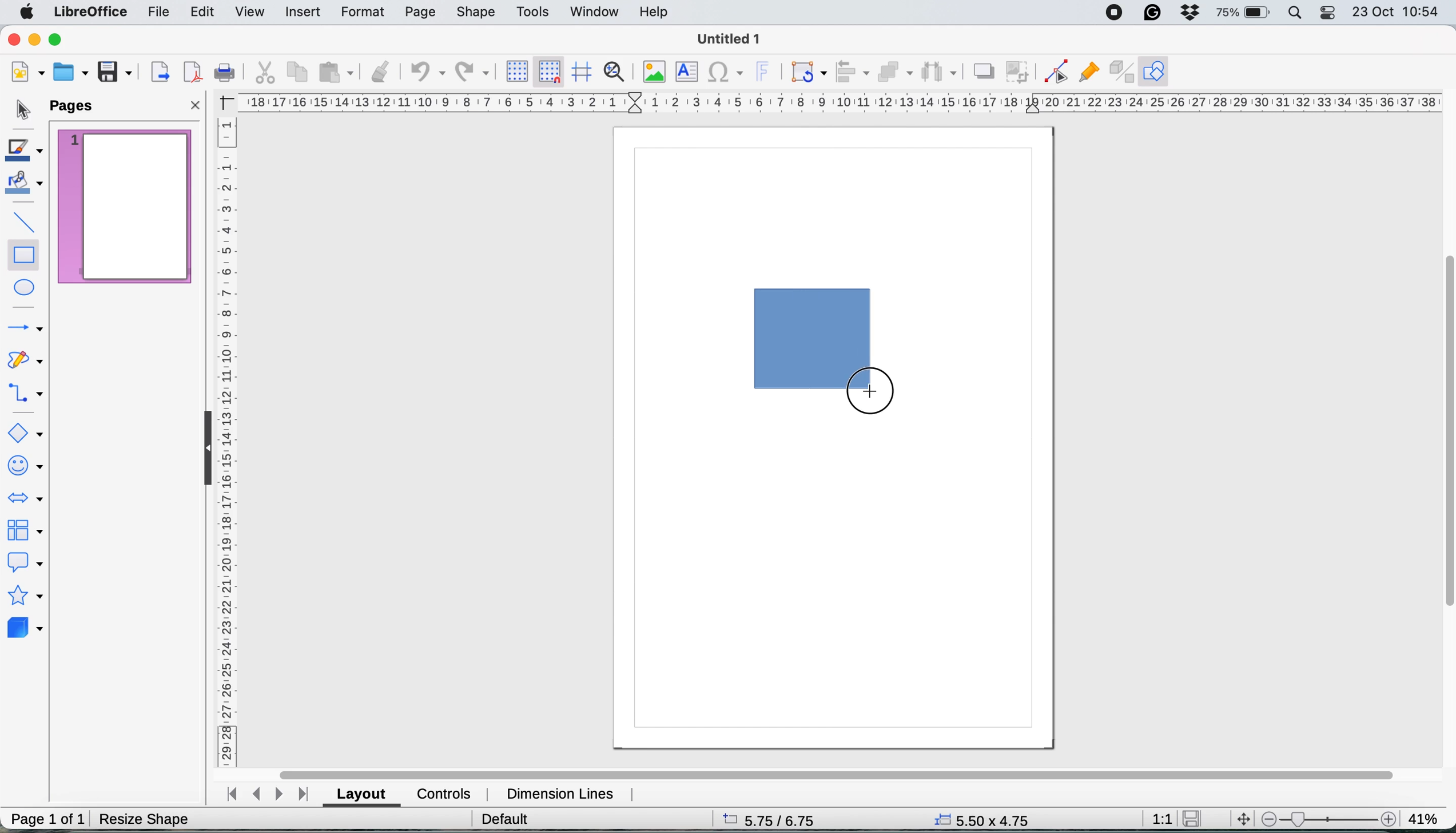  Describe the element at coordinates (1196, 818) in the screenshot. I see `save` at that location.